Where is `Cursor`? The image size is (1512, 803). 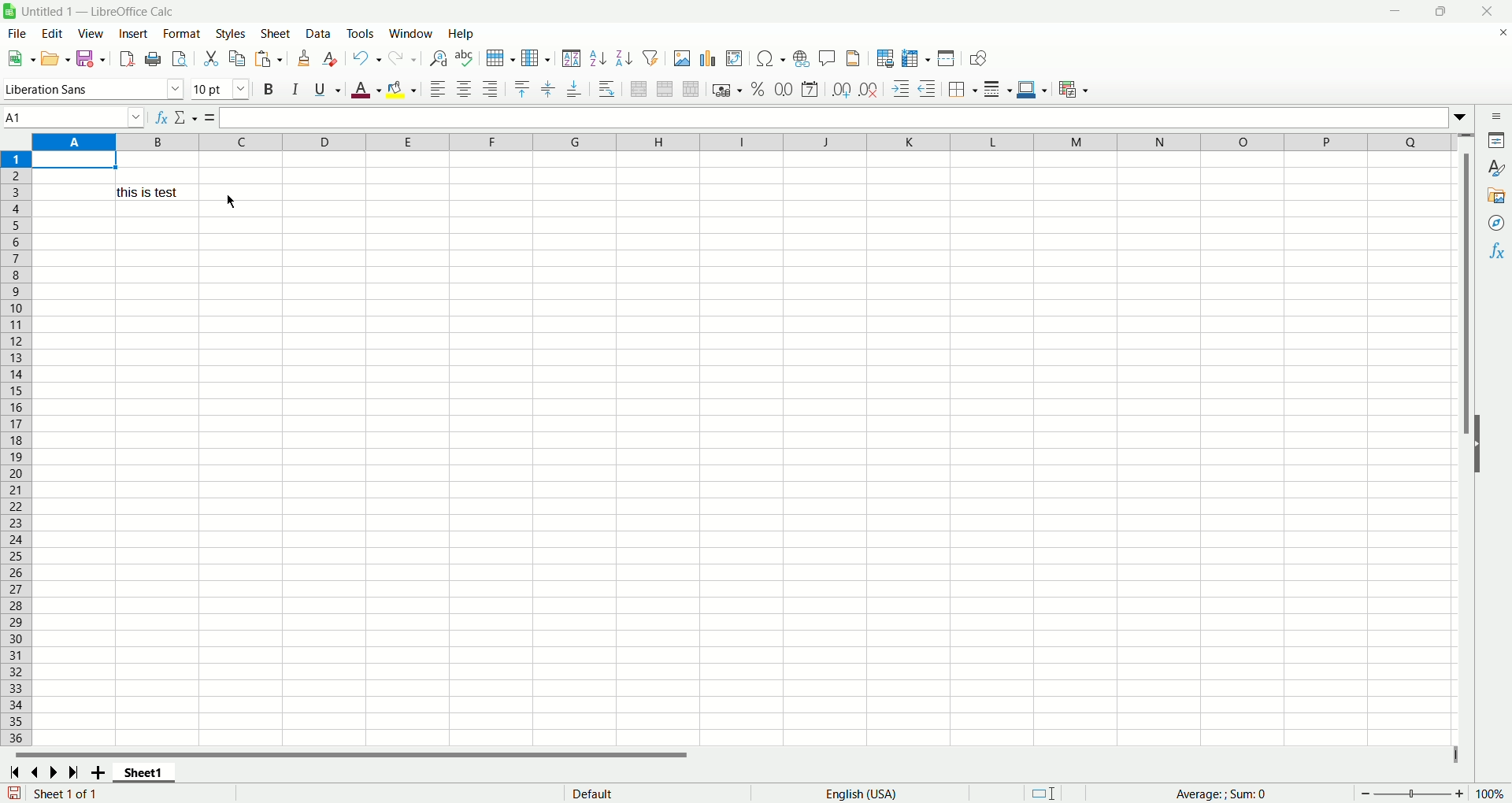 Cursor is located at coordinates (232, 201).